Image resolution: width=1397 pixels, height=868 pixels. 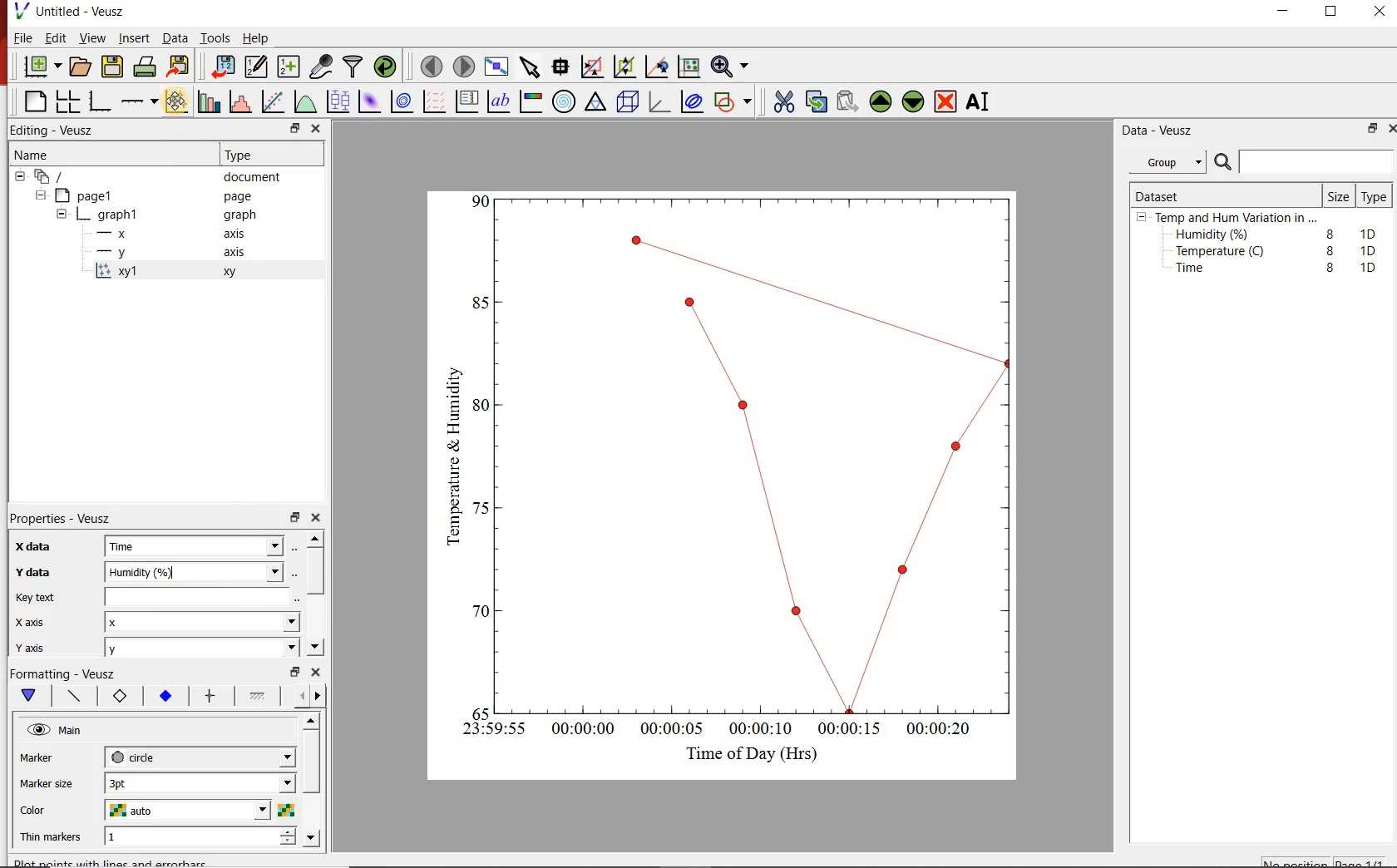 I want to click on filter data, so click(x=353, y=67).